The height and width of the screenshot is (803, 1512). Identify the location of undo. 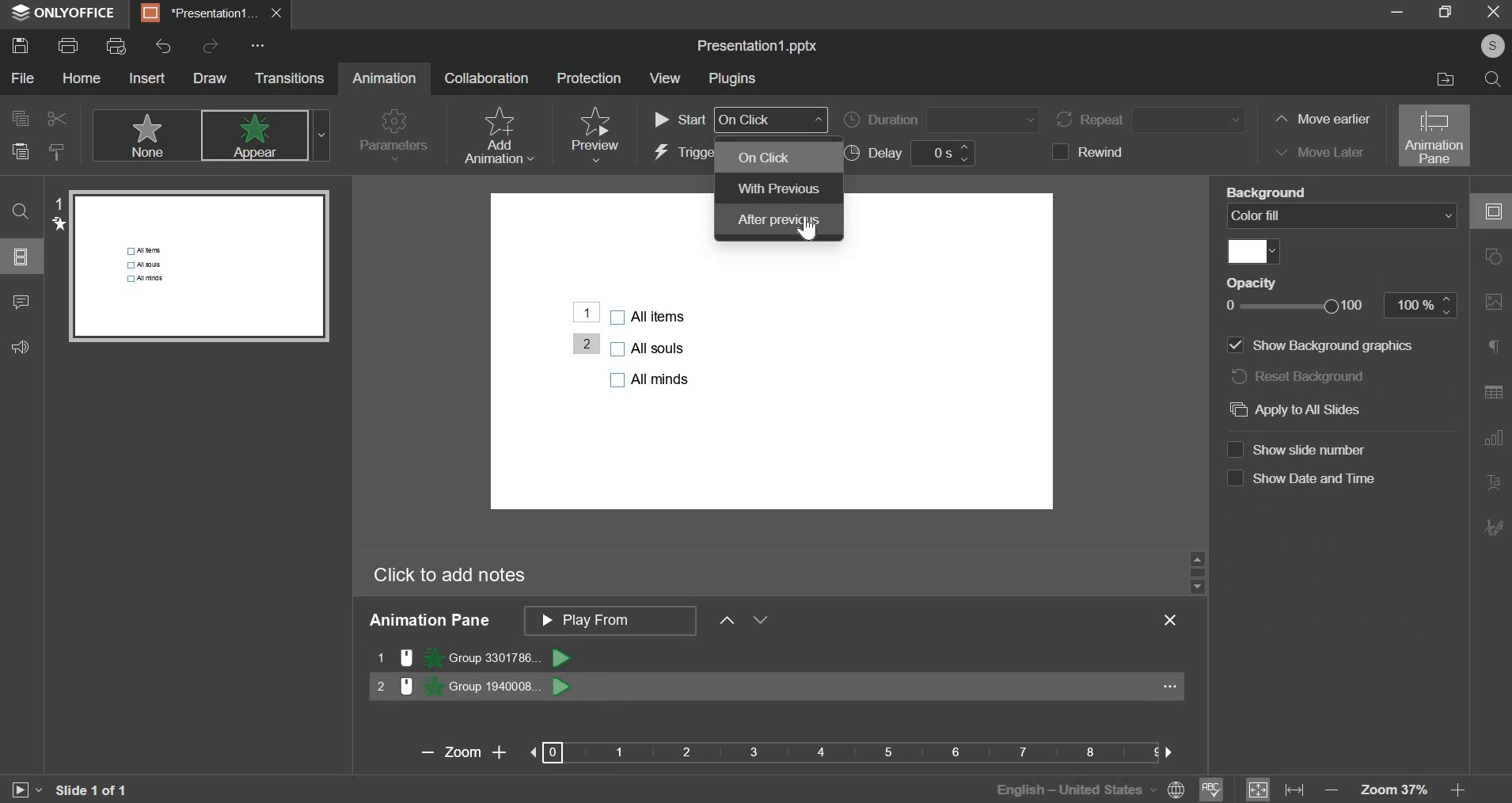
(163, 47).